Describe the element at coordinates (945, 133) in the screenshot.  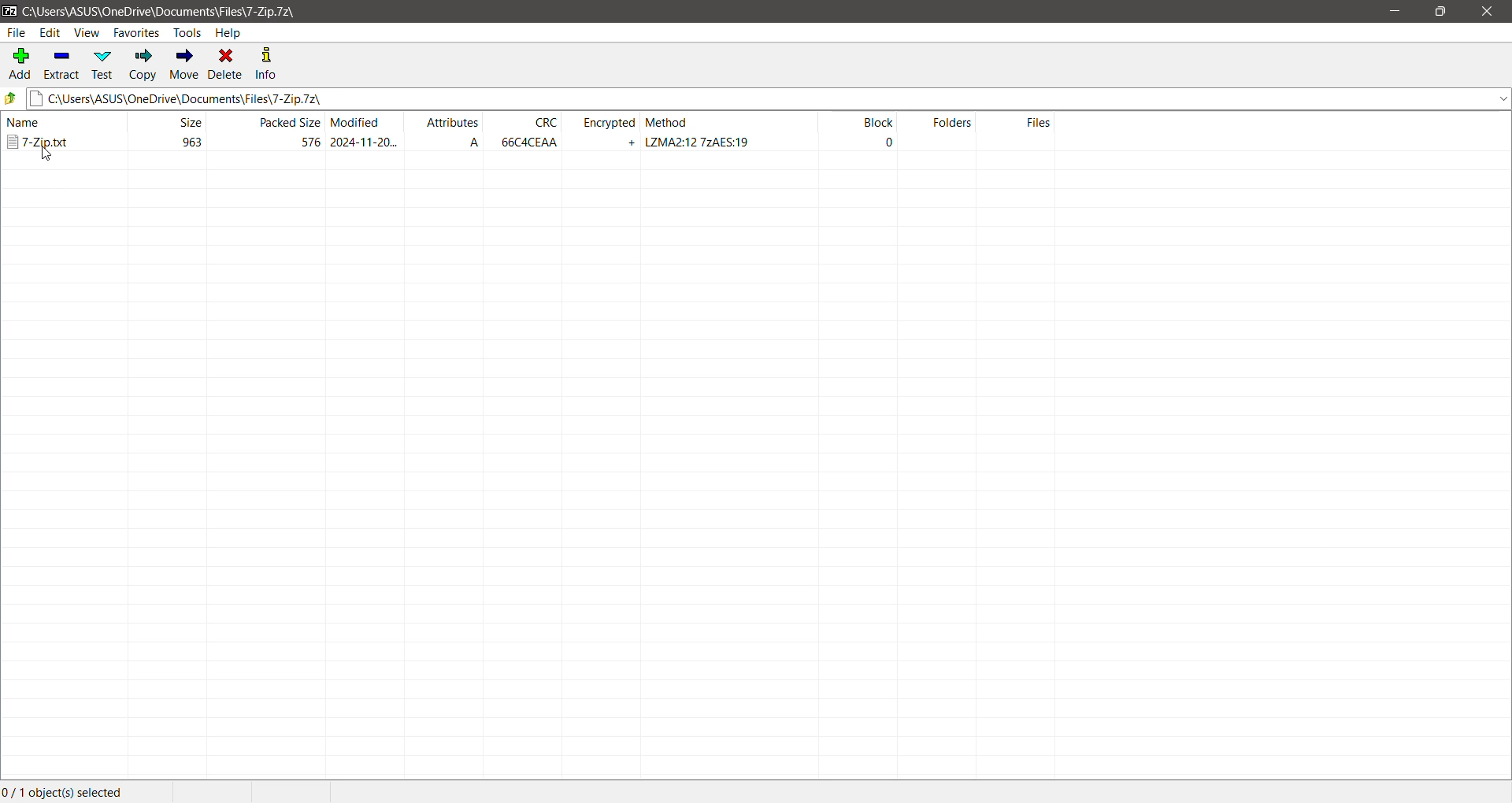
I see `Folders` at that location.